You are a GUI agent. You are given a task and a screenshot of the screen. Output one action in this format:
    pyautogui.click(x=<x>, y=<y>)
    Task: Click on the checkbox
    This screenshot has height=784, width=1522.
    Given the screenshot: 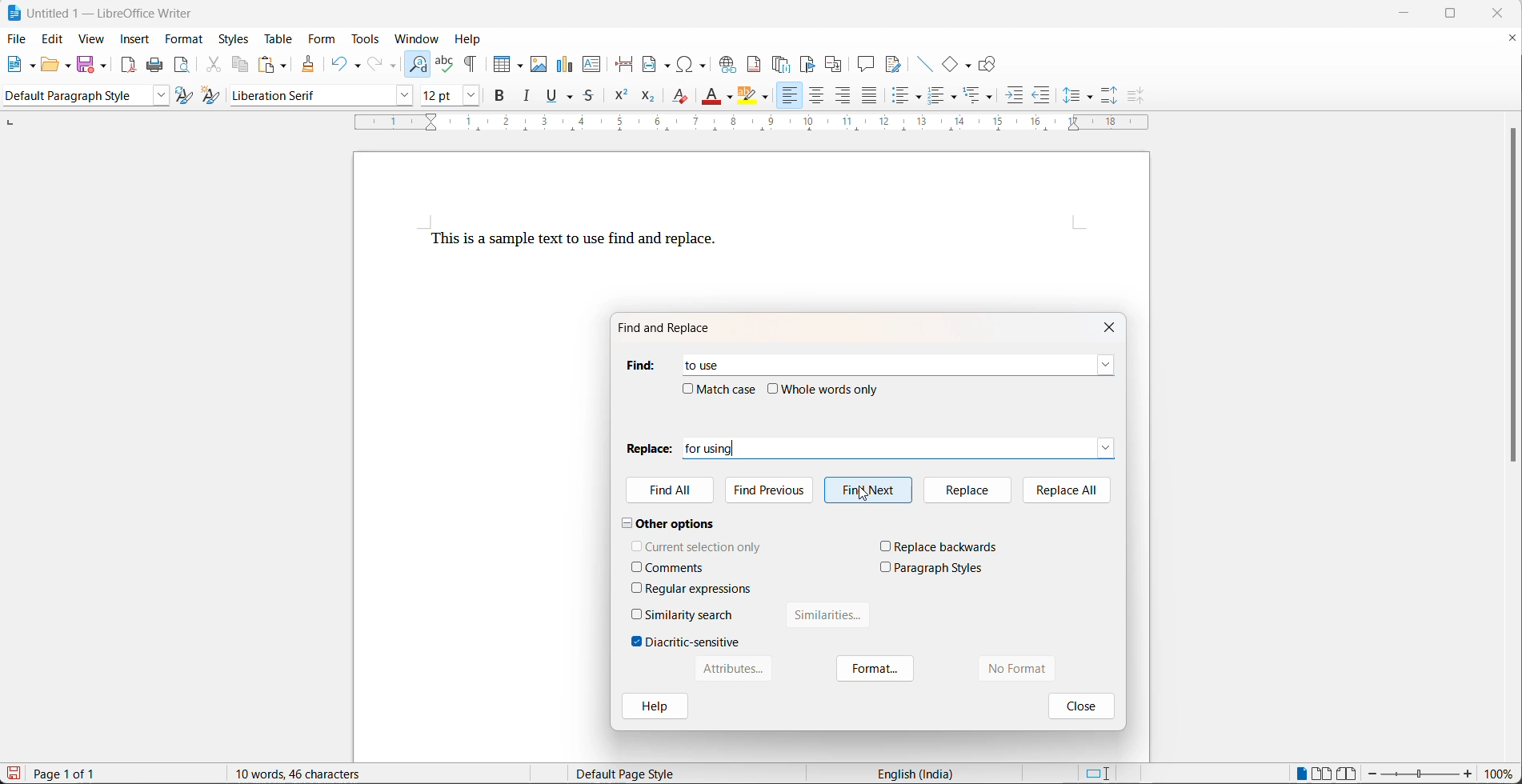 What is the action you would take?
    pyautogui.click(x=637, y=566)
    